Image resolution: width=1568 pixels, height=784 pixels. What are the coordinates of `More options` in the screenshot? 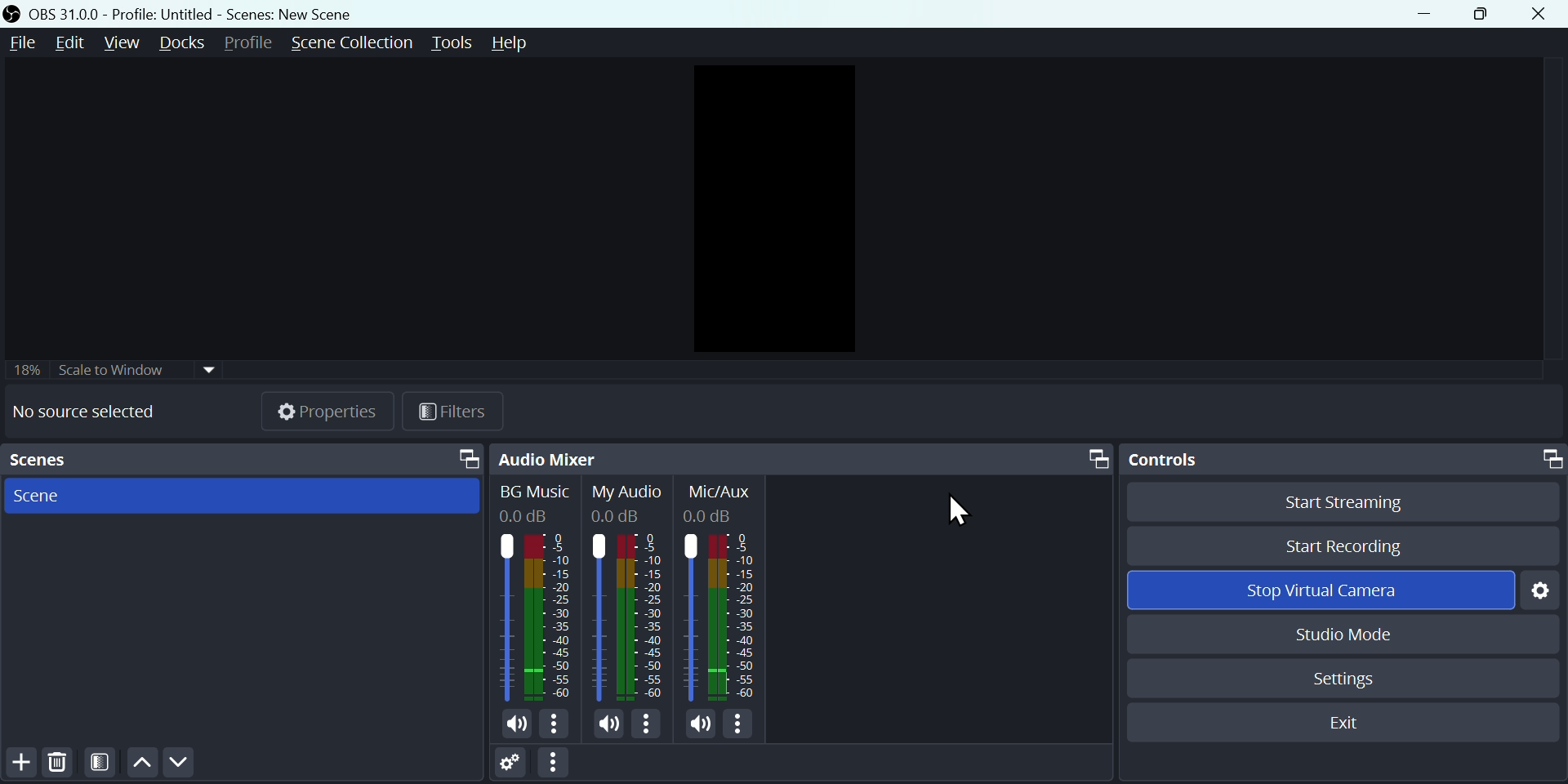 It's located at (557, 764).